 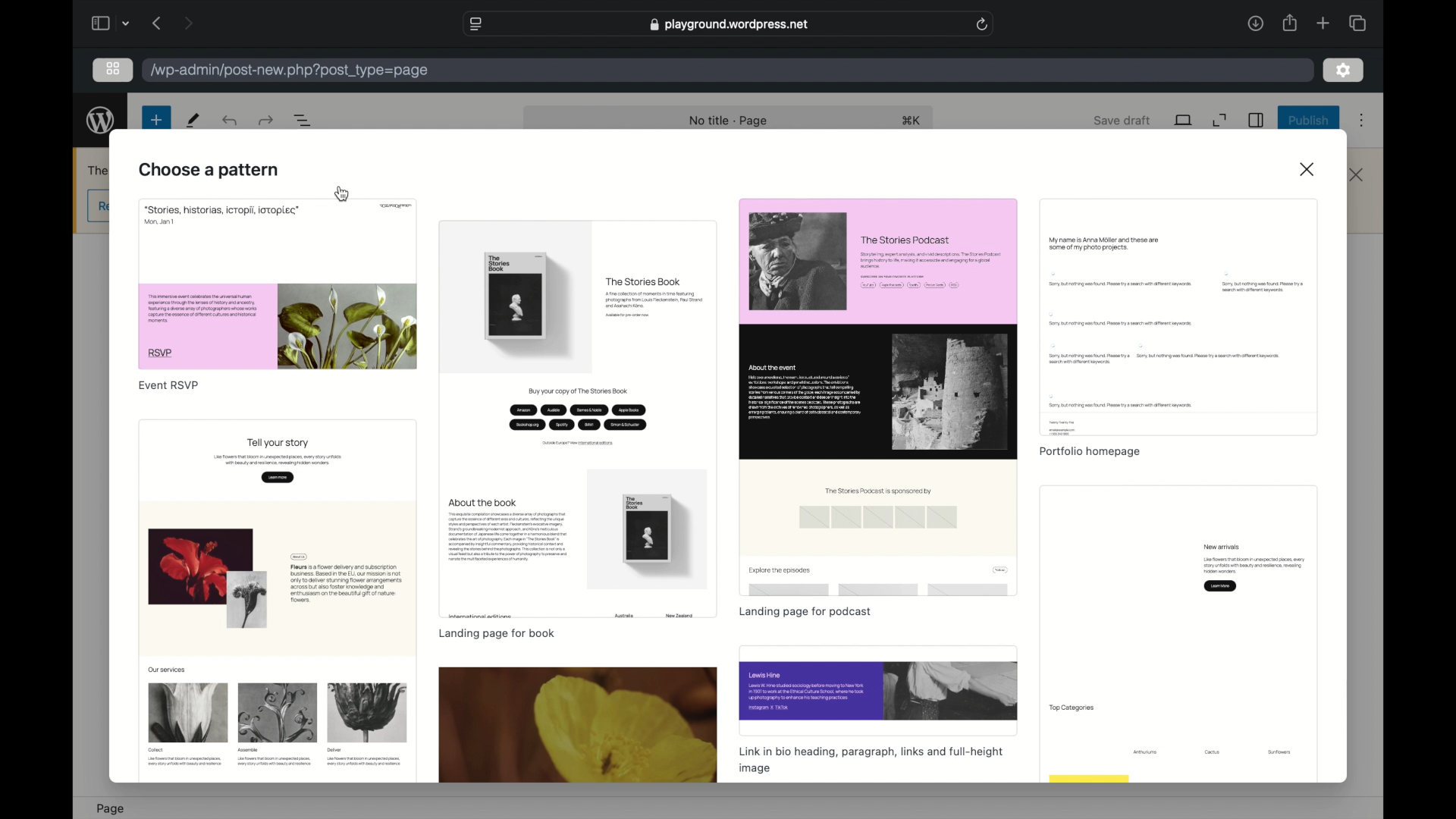 I want to click on obscure text, so click(x=96, y=169).